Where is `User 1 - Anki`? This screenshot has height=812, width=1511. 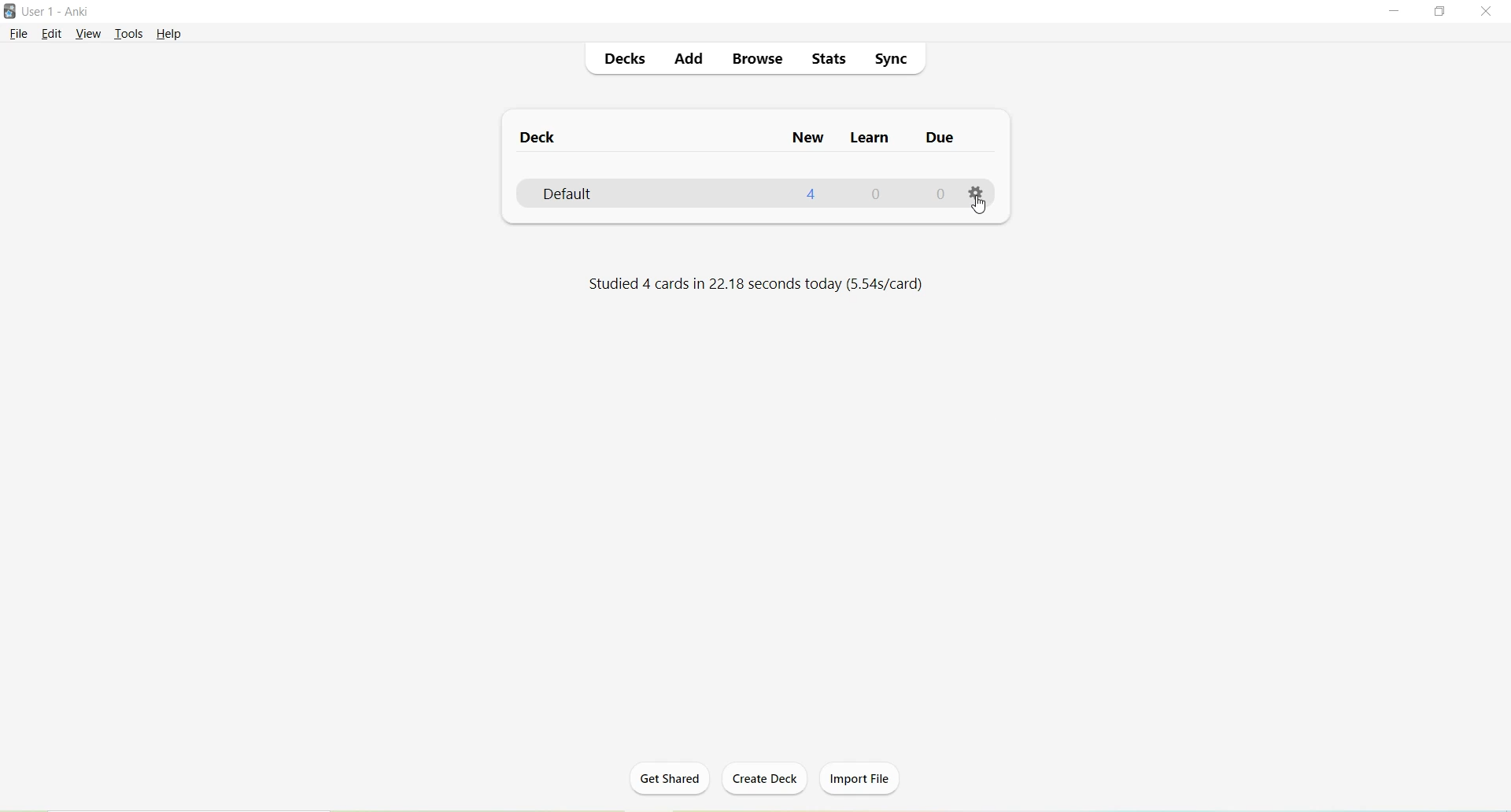
User 1 - Anki is located at coordinates (57, 11).